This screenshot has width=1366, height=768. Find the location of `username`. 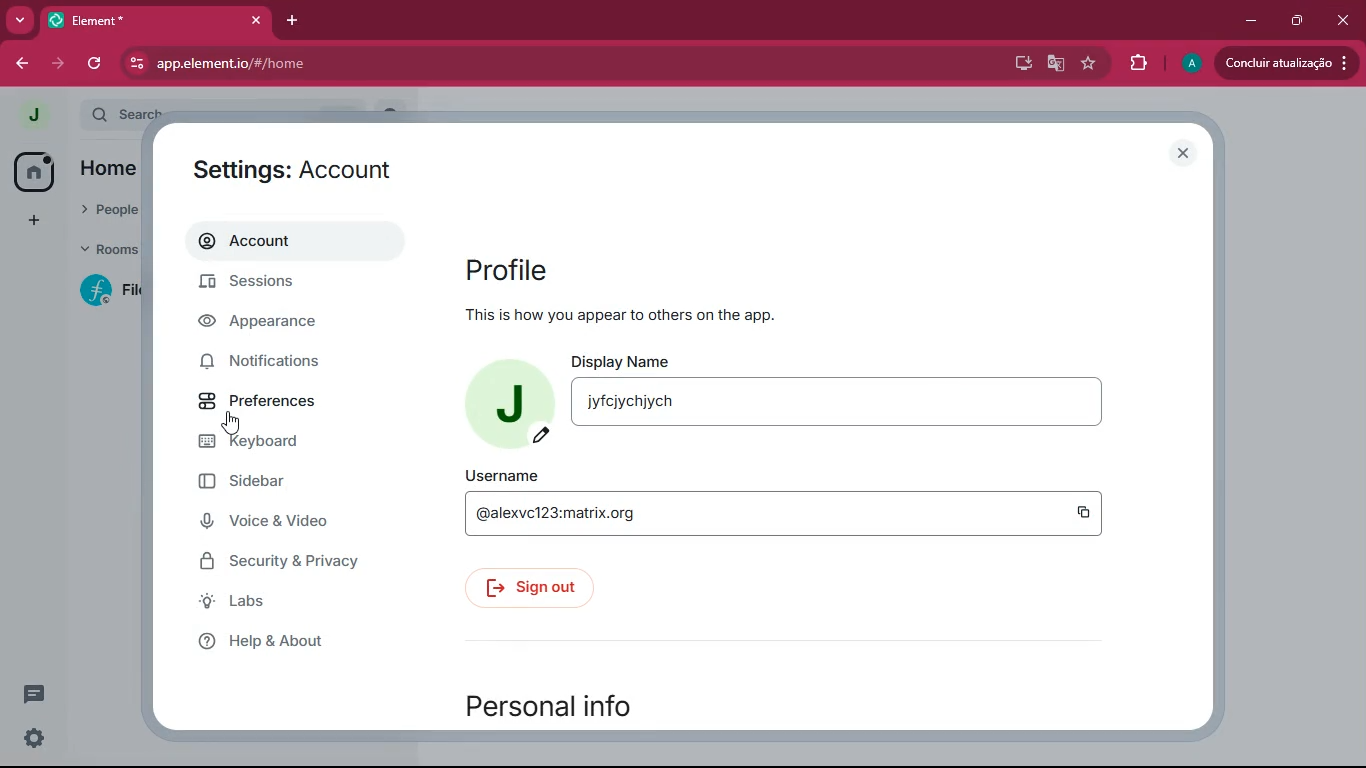

username is located at coordinates (782, 505).